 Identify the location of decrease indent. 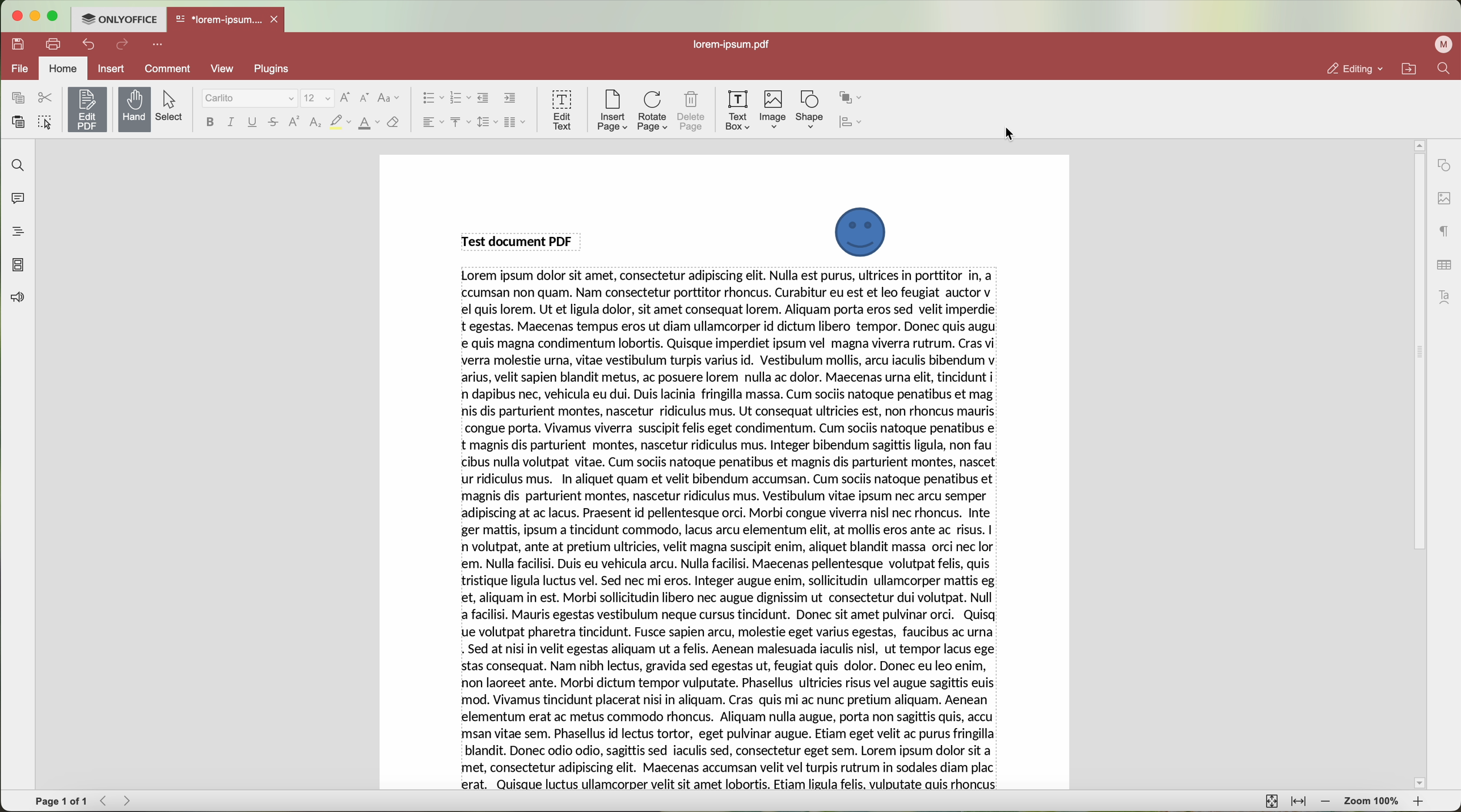
(484, 98).